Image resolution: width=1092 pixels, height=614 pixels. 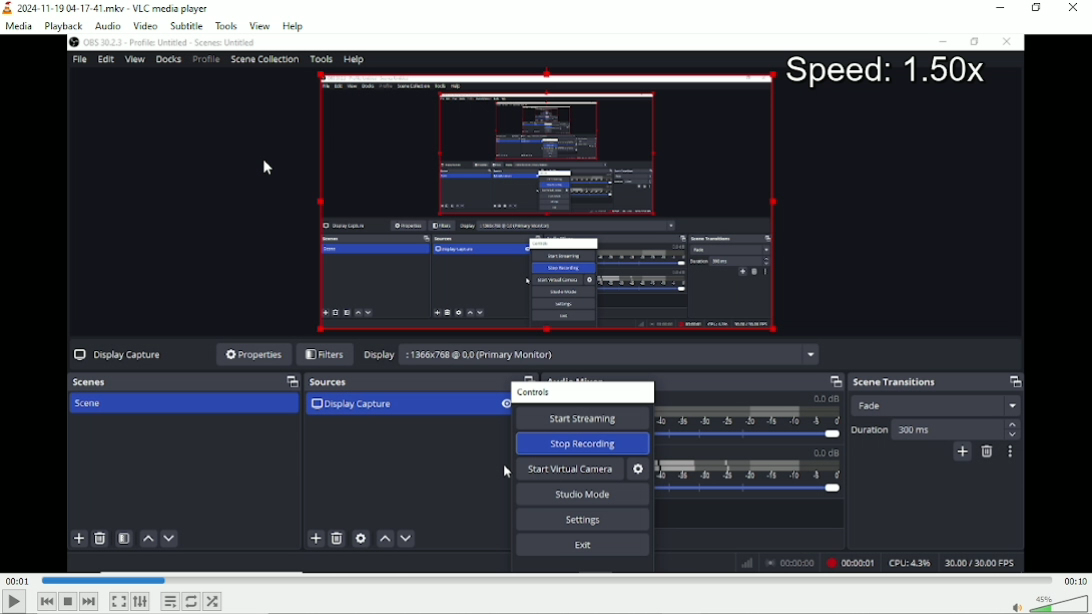 What do you see at coordinates (89, 601) in the screenshot?
I see `Next` at bounding box center [89, 601].